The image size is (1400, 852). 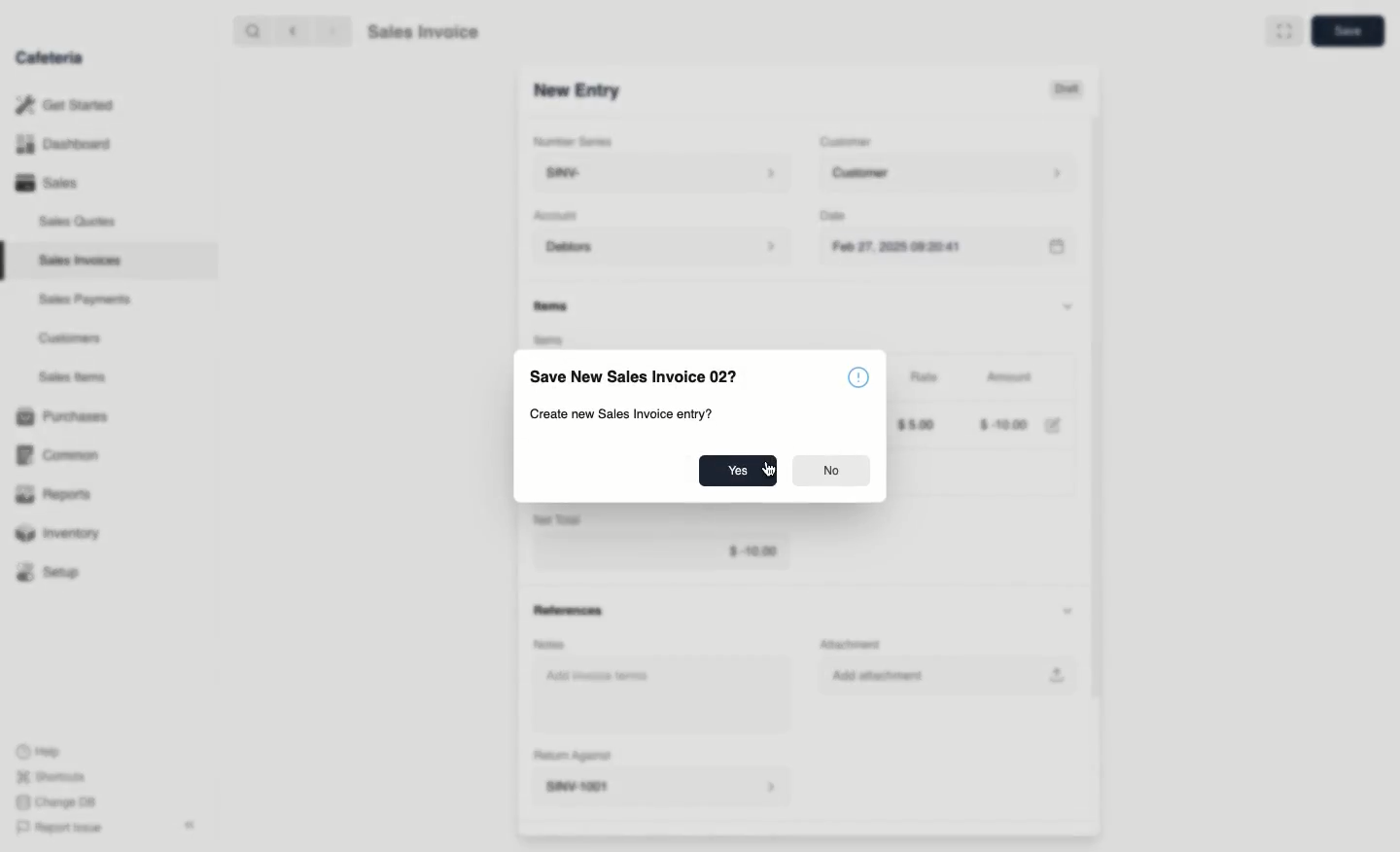 I want to click on Dashboard, so click(x=63, y=144).